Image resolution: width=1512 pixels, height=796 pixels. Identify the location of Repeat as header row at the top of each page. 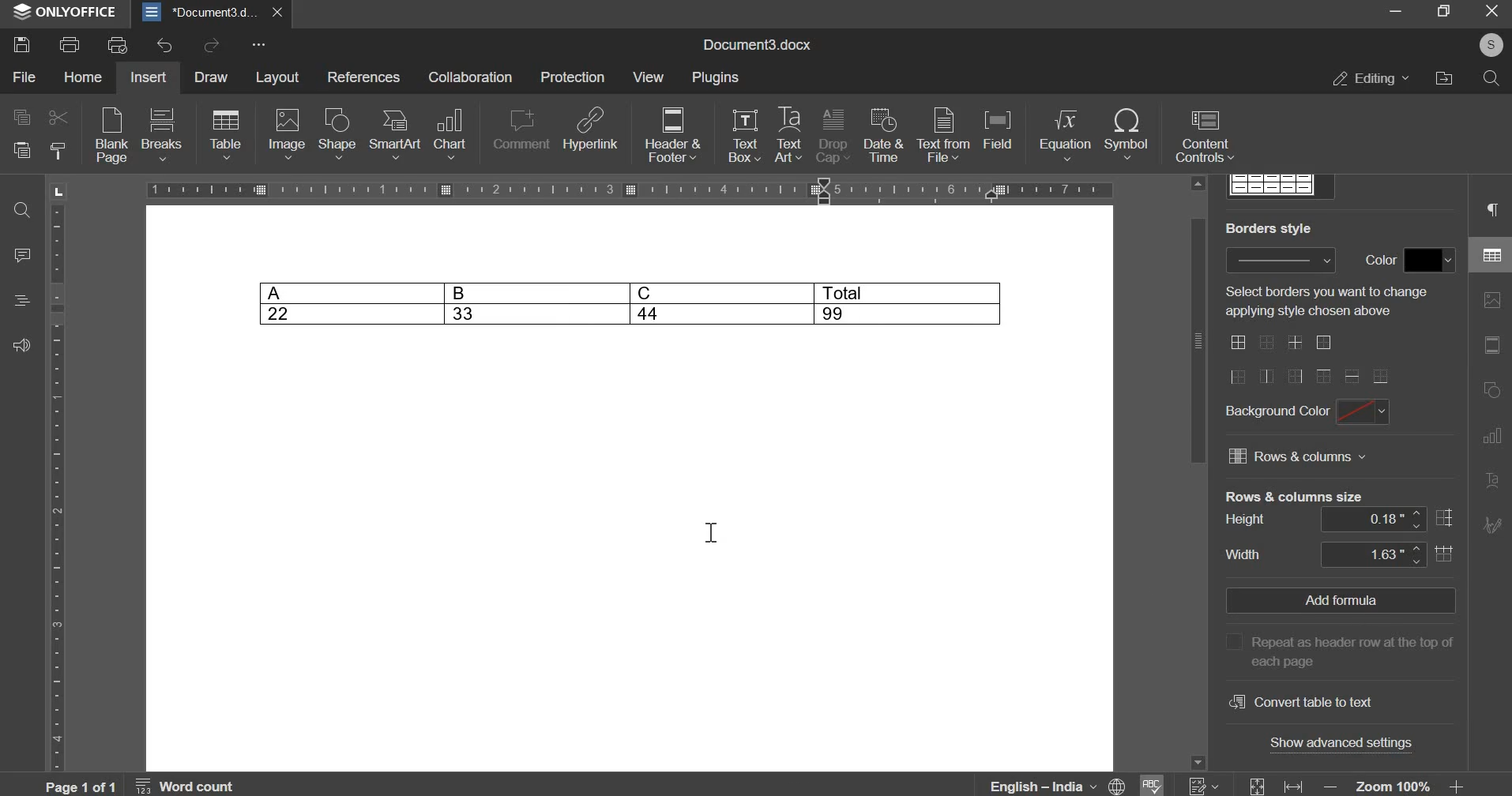
(1337, 650).